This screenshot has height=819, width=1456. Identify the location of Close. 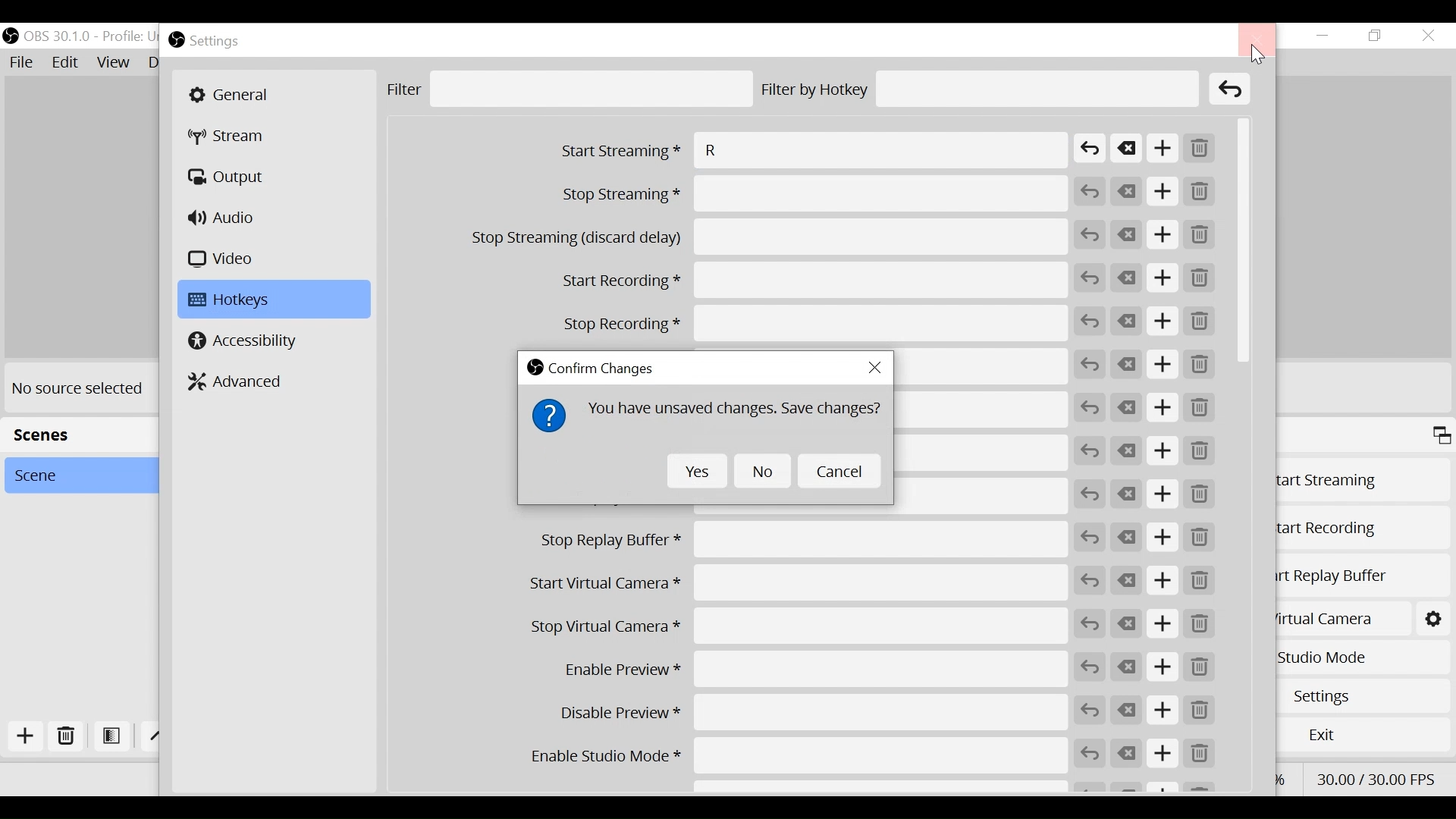
(1258, 40).